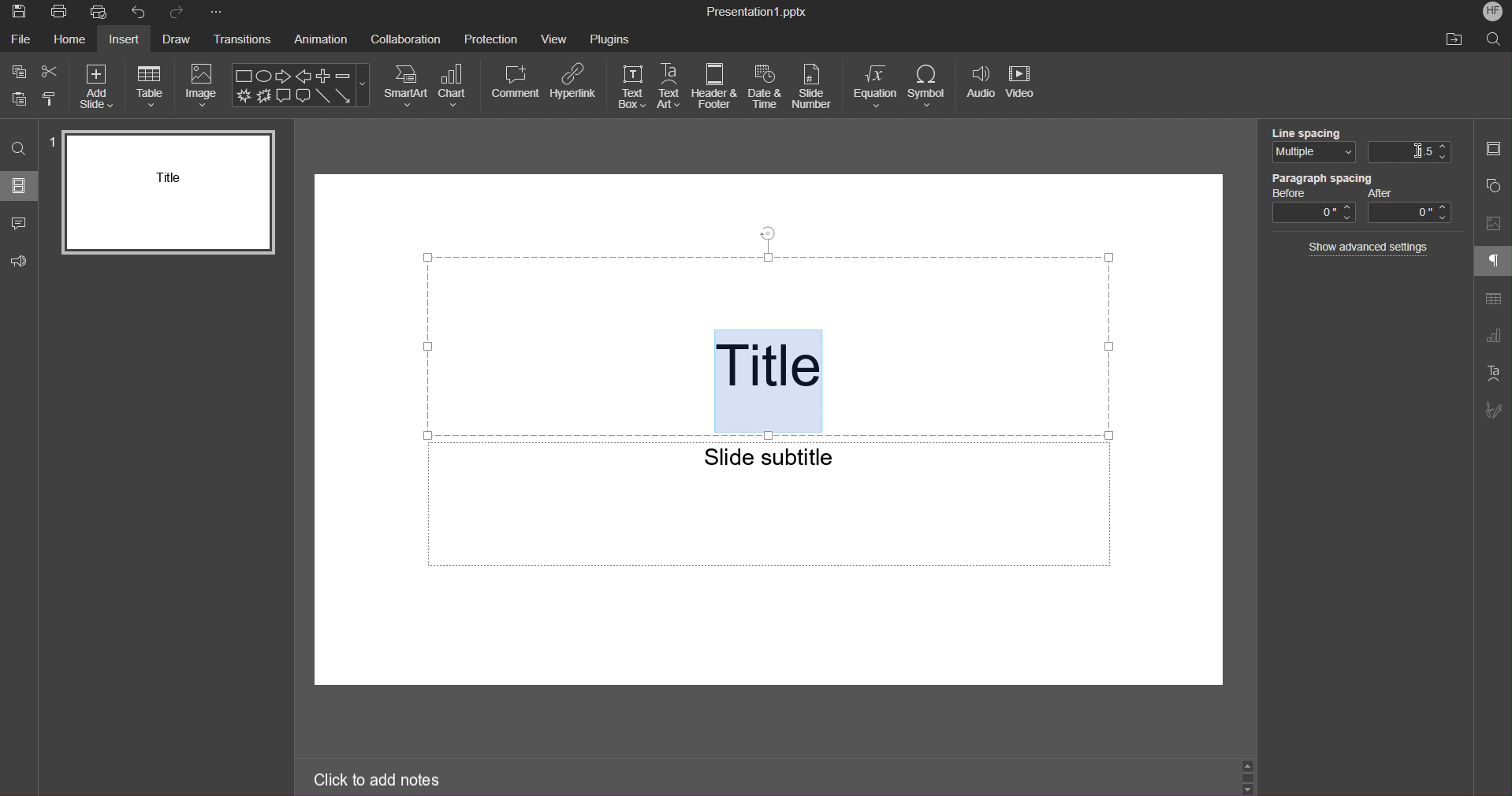 Image resolution: width=1512 pixels, height=796 pixels. Describe the element at coordinates (457, 86) in the screenshot. I see `Chart` at that location.